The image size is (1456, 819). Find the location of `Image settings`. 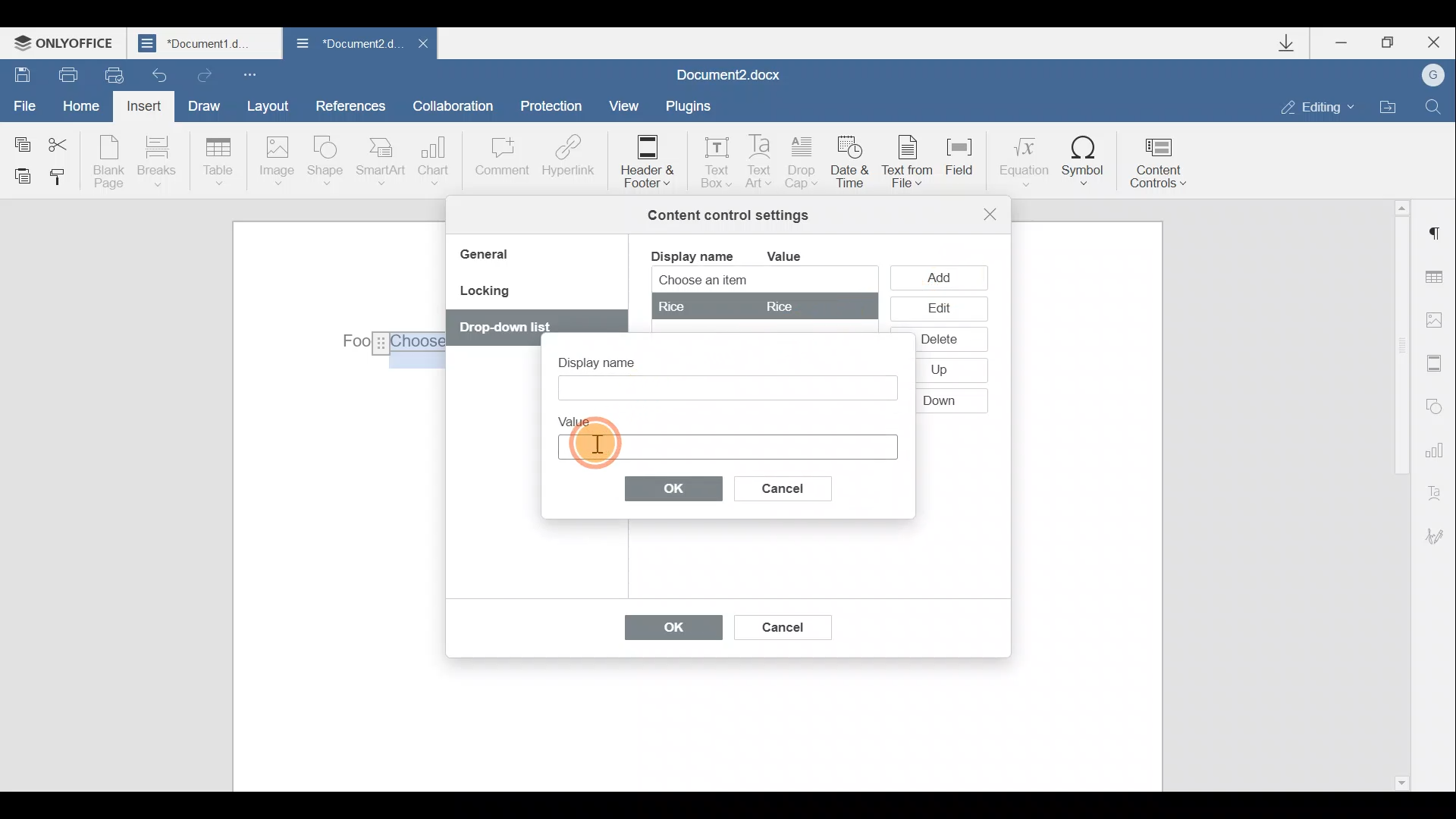

Image settings is located at coordinates (1438, 320).